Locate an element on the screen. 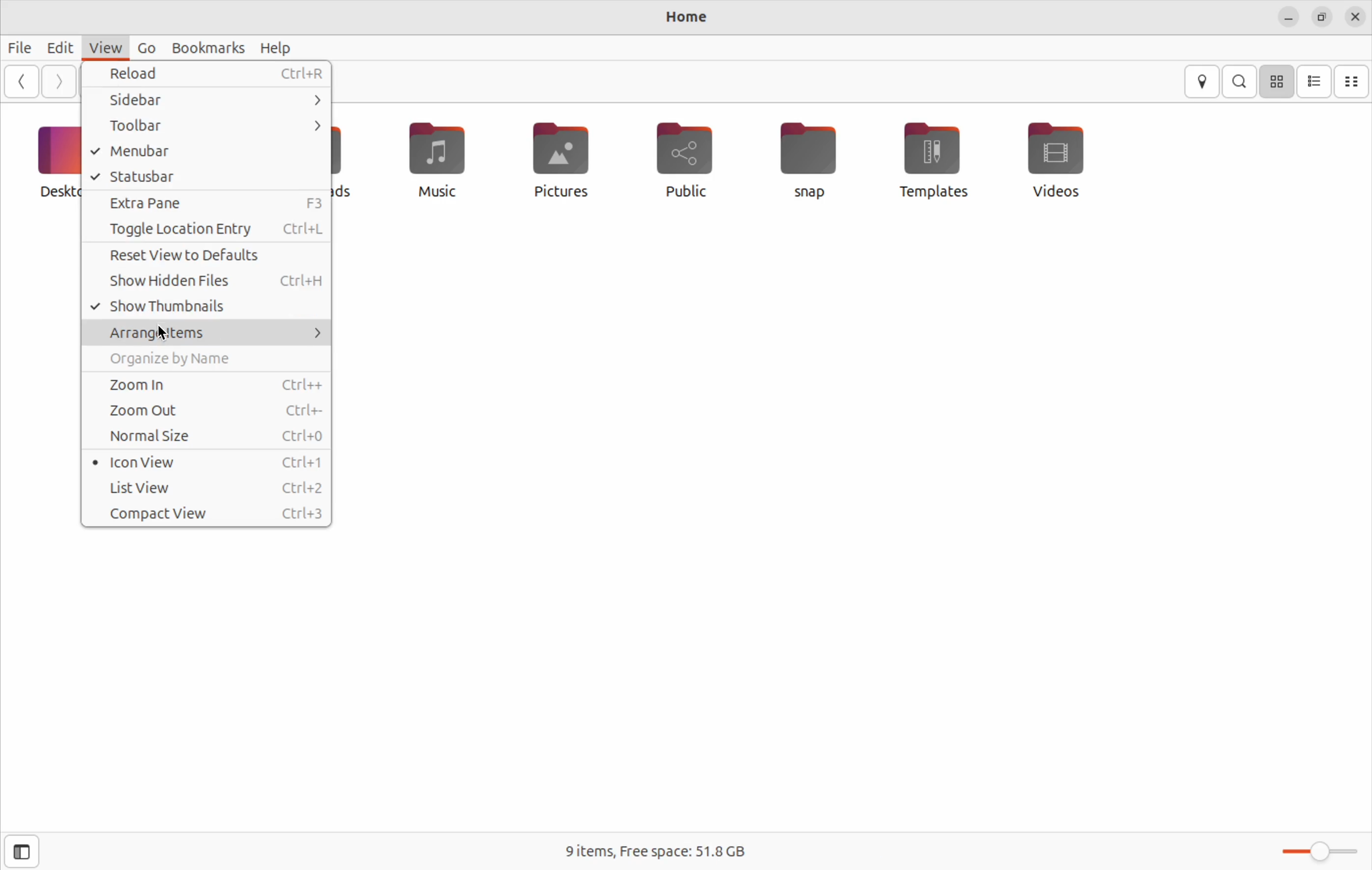 The width and height of the screenshot is (1372, 870). files is located at coordinates (20, 44).